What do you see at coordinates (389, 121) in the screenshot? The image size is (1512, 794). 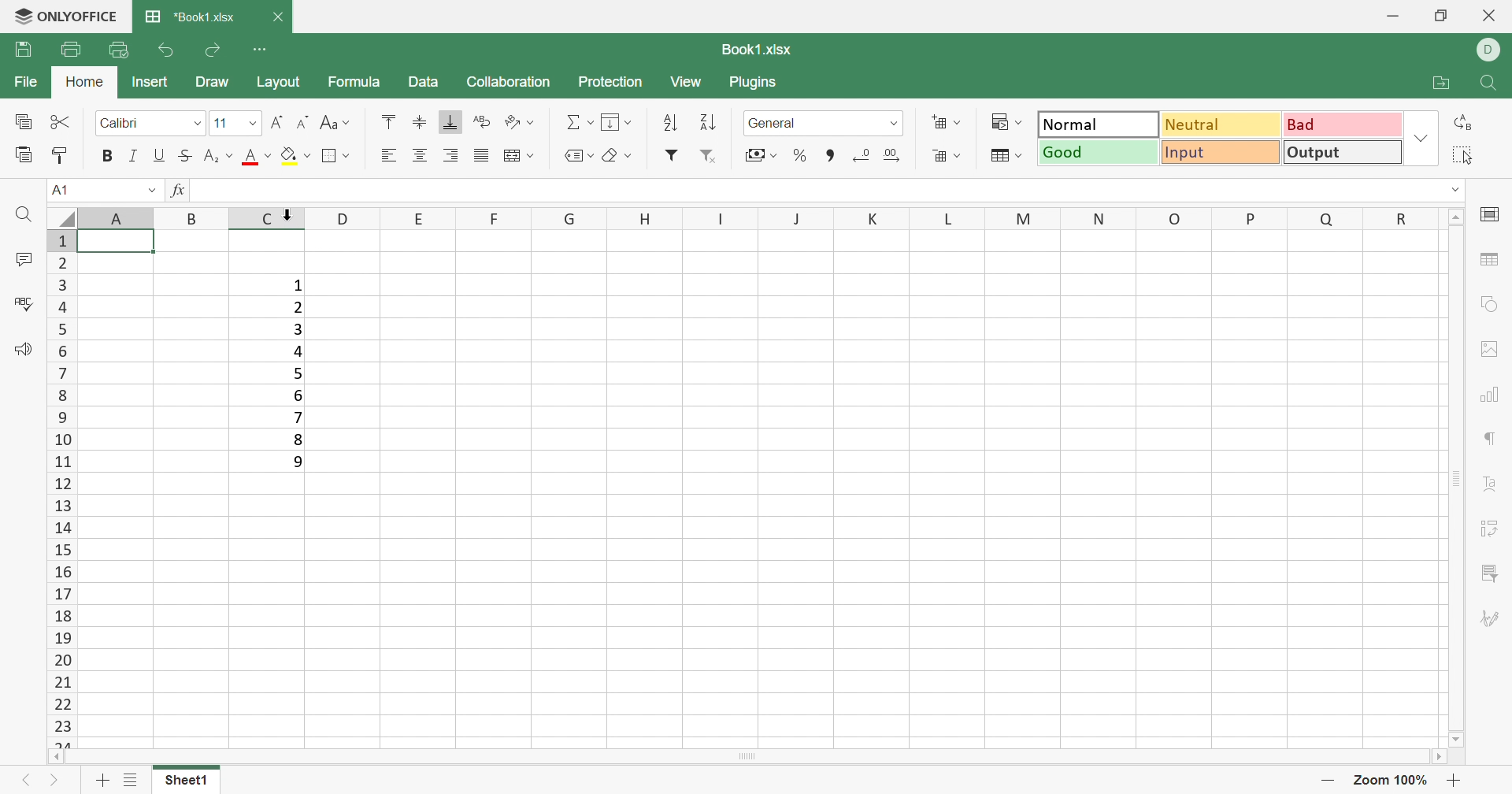 I see `Align Top` at bounding box center [389, 121].